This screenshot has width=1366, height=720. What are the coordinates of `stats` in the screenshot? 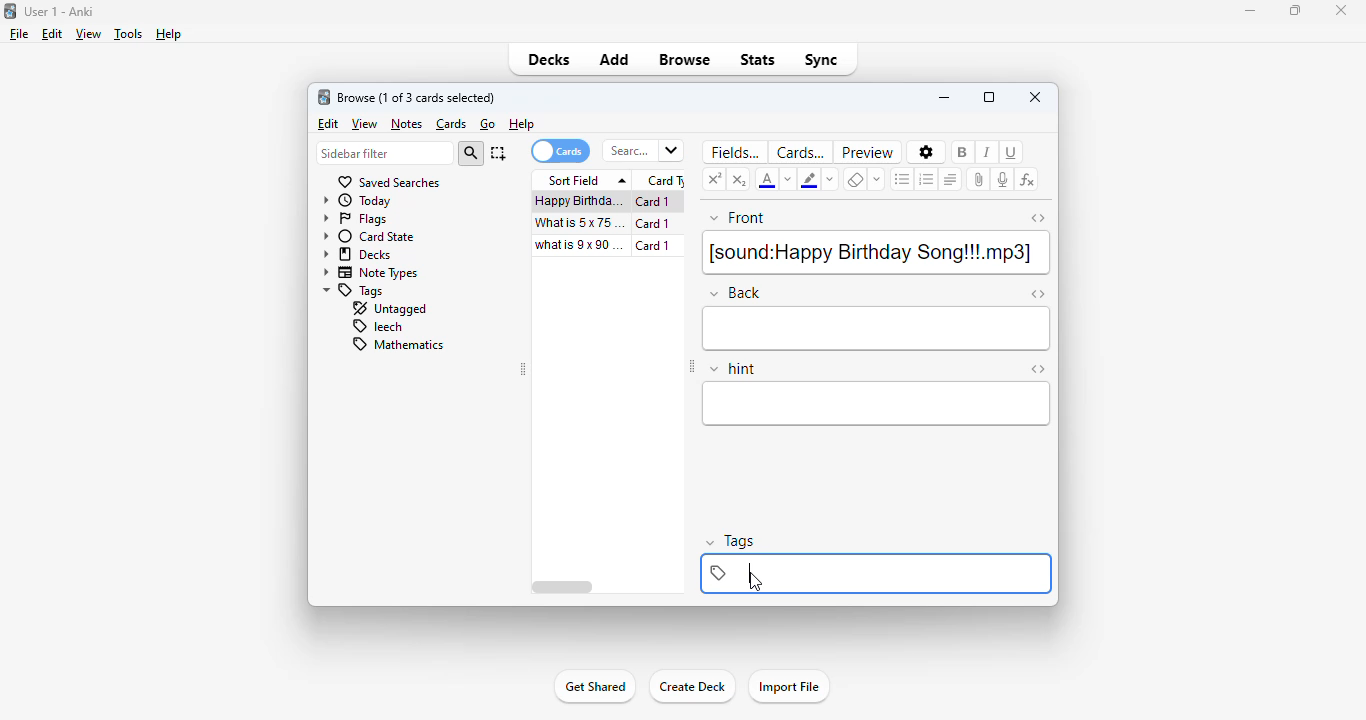 It's located at (759, 60).